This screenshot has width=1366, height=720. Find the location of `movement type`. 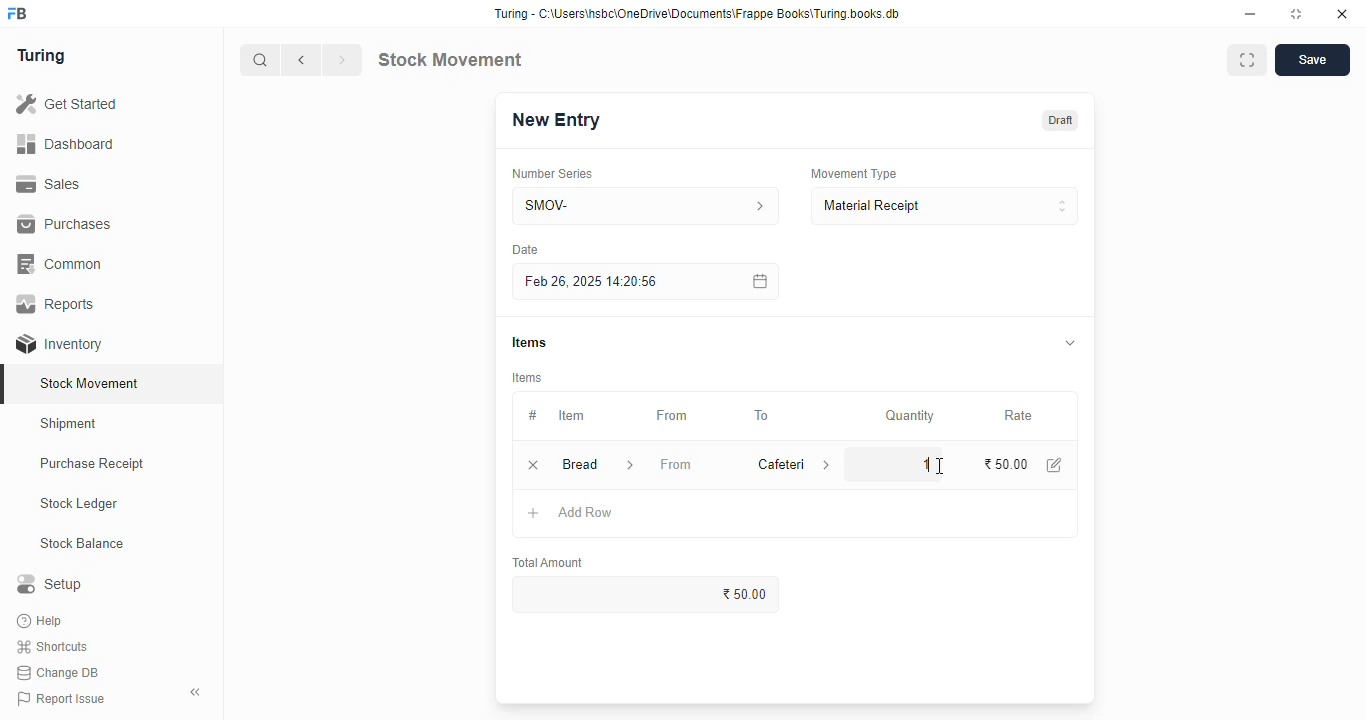

movement type is located at coordinates (853, 173).